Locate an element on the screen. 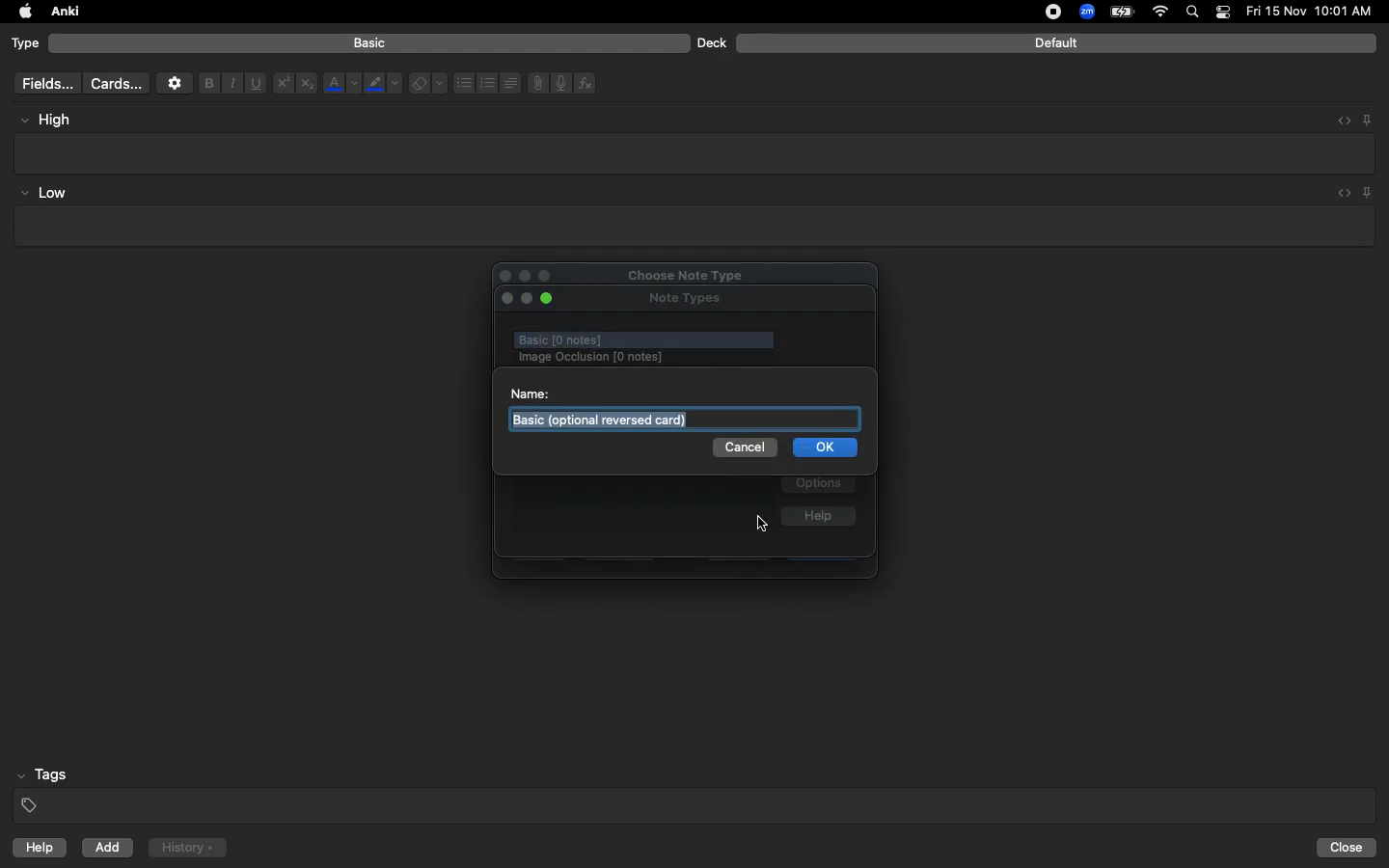 Image resolution: width=1389 pixels, height=868 pixels. Underline is located at coordinates (255, 84).